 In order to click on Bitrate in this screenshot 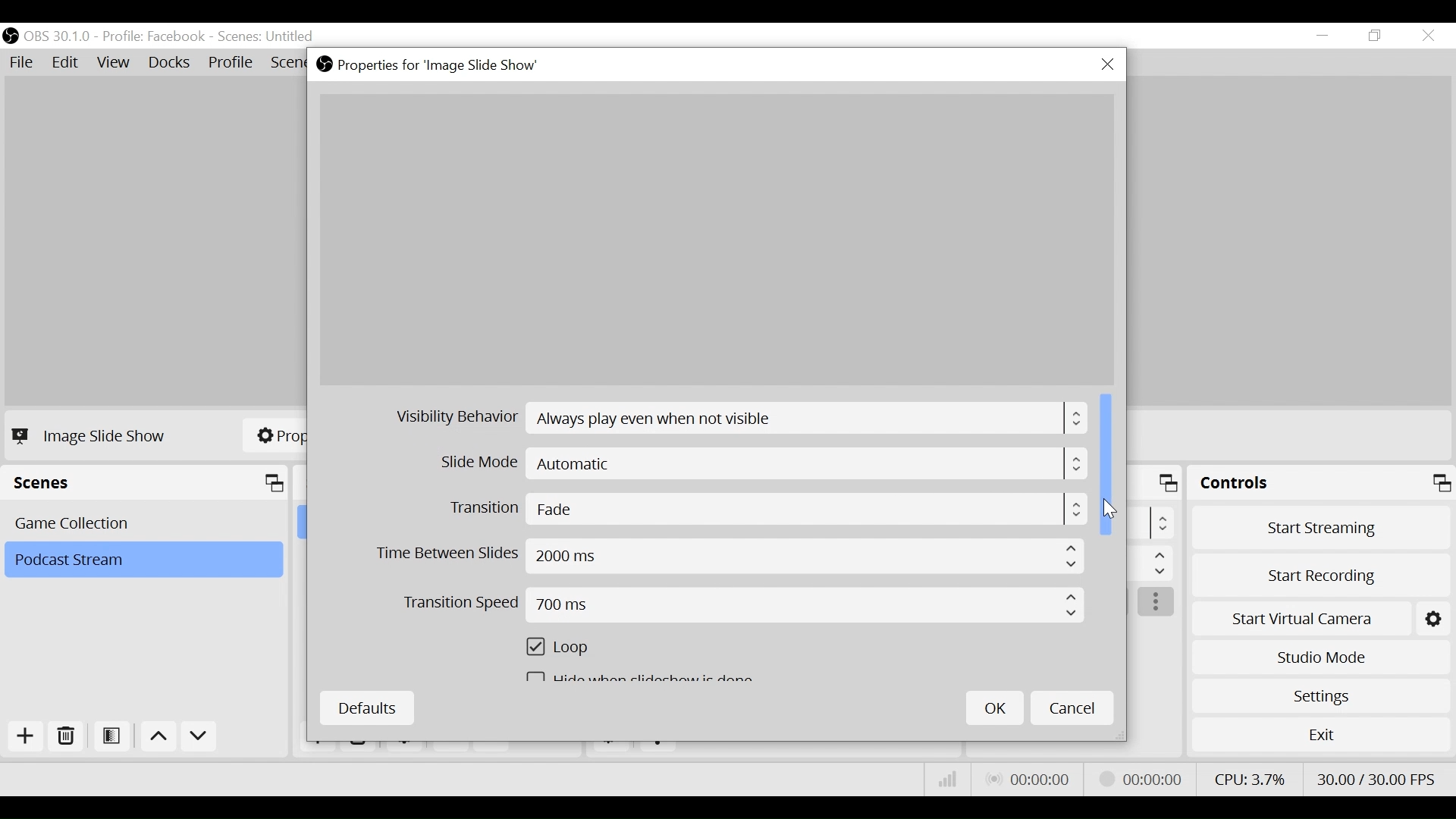, I will do `click(948, 780)`.